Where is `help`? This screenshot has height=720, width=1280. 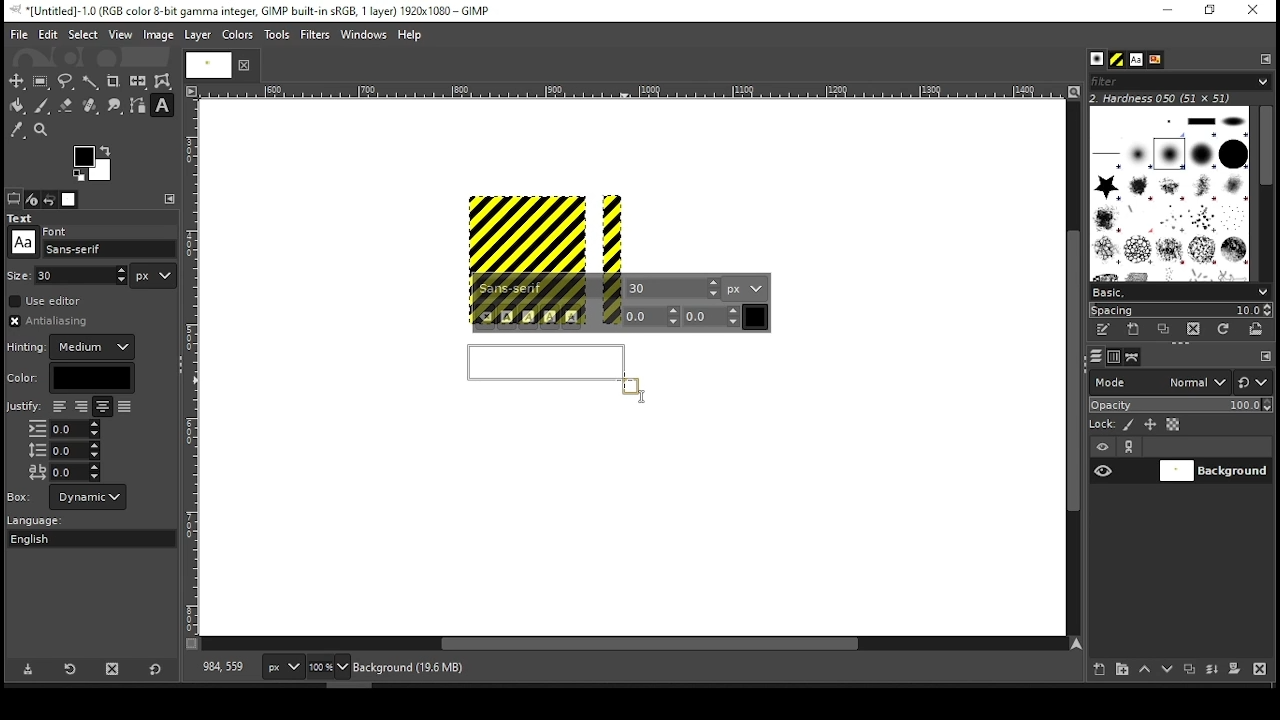
help is located at coordinates (410, 36).